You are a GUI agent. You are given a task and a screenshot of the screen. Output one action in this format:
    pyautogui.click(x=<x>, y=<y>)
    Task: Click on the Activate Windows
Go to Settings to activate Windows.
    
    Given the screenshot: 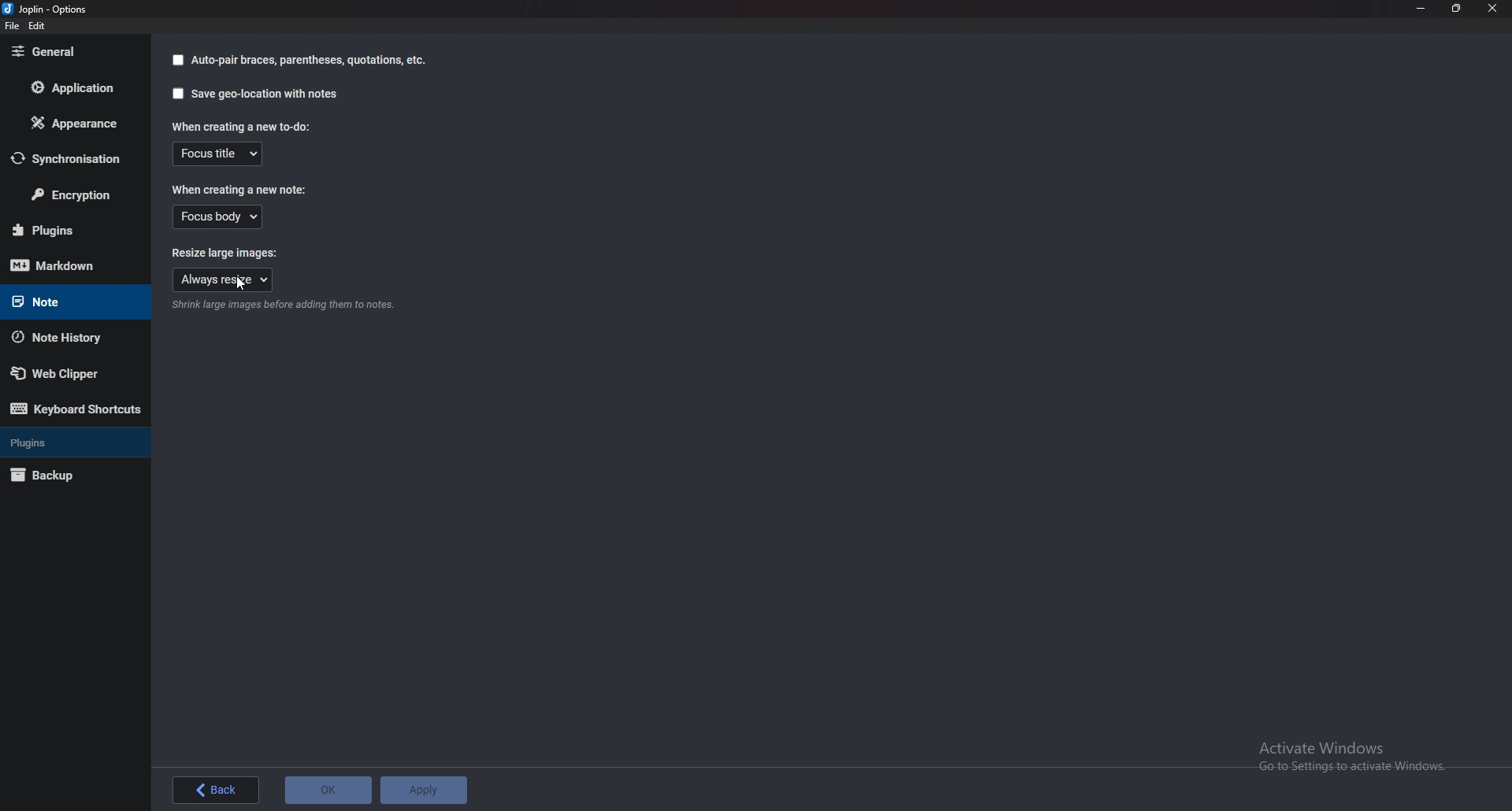 What is the action you would take?
    pyautogui.click(x=1358, y=759)
    